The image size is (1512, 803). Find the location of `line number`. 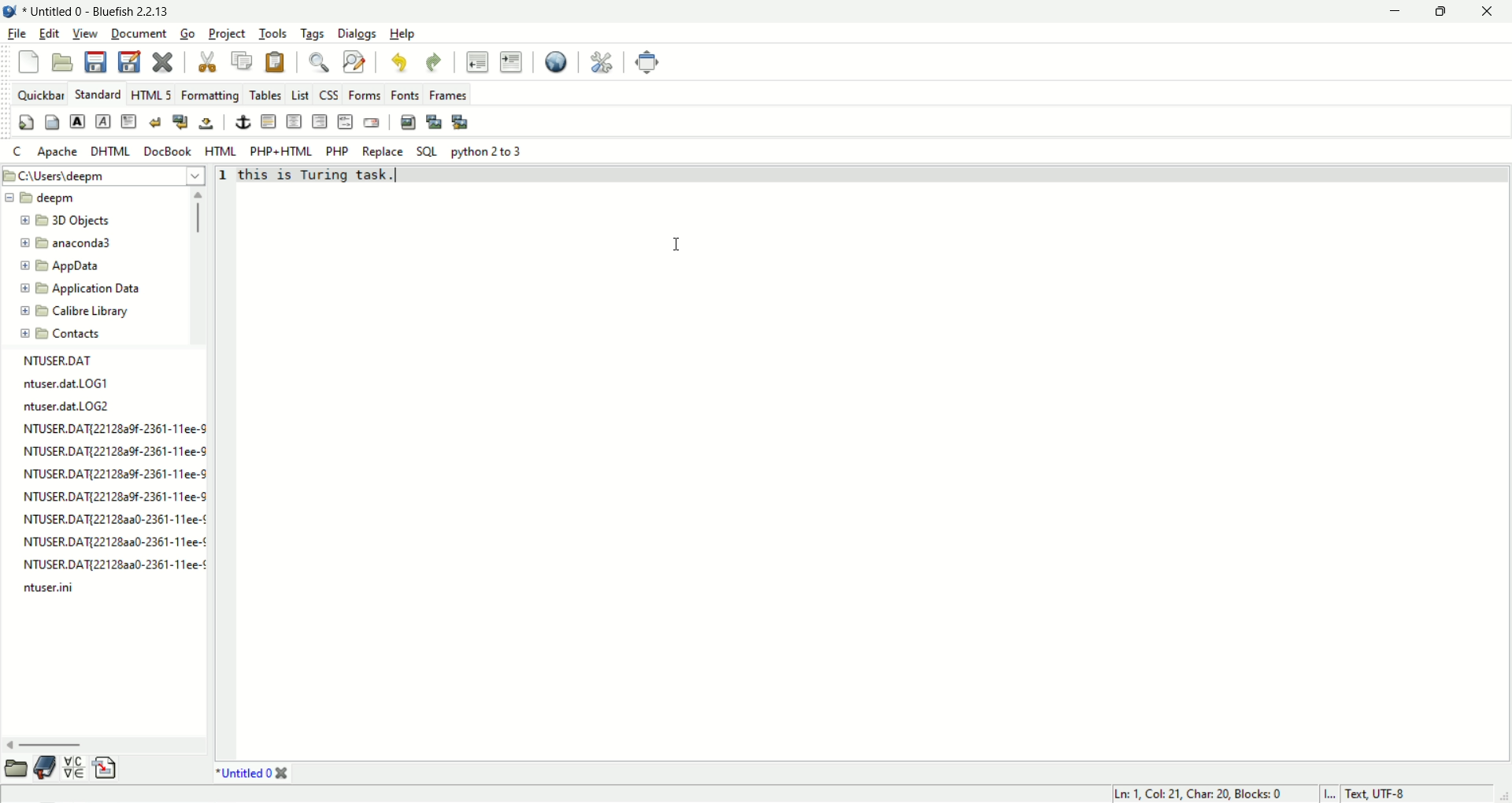

line number is located at coordinates (225, 464).